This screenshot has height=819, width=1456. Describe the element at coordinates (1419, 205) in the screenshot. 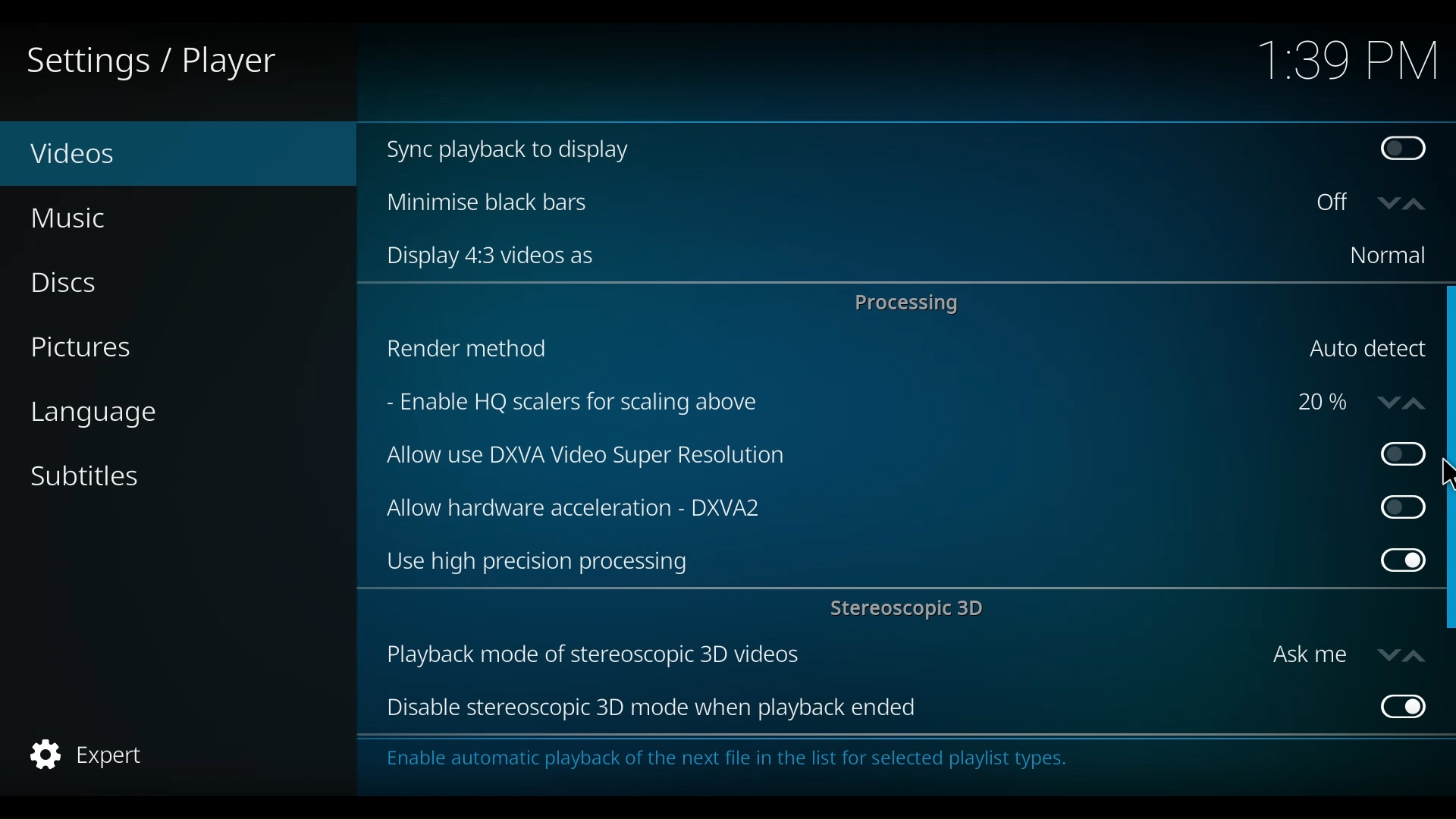

I see `up` at that location.